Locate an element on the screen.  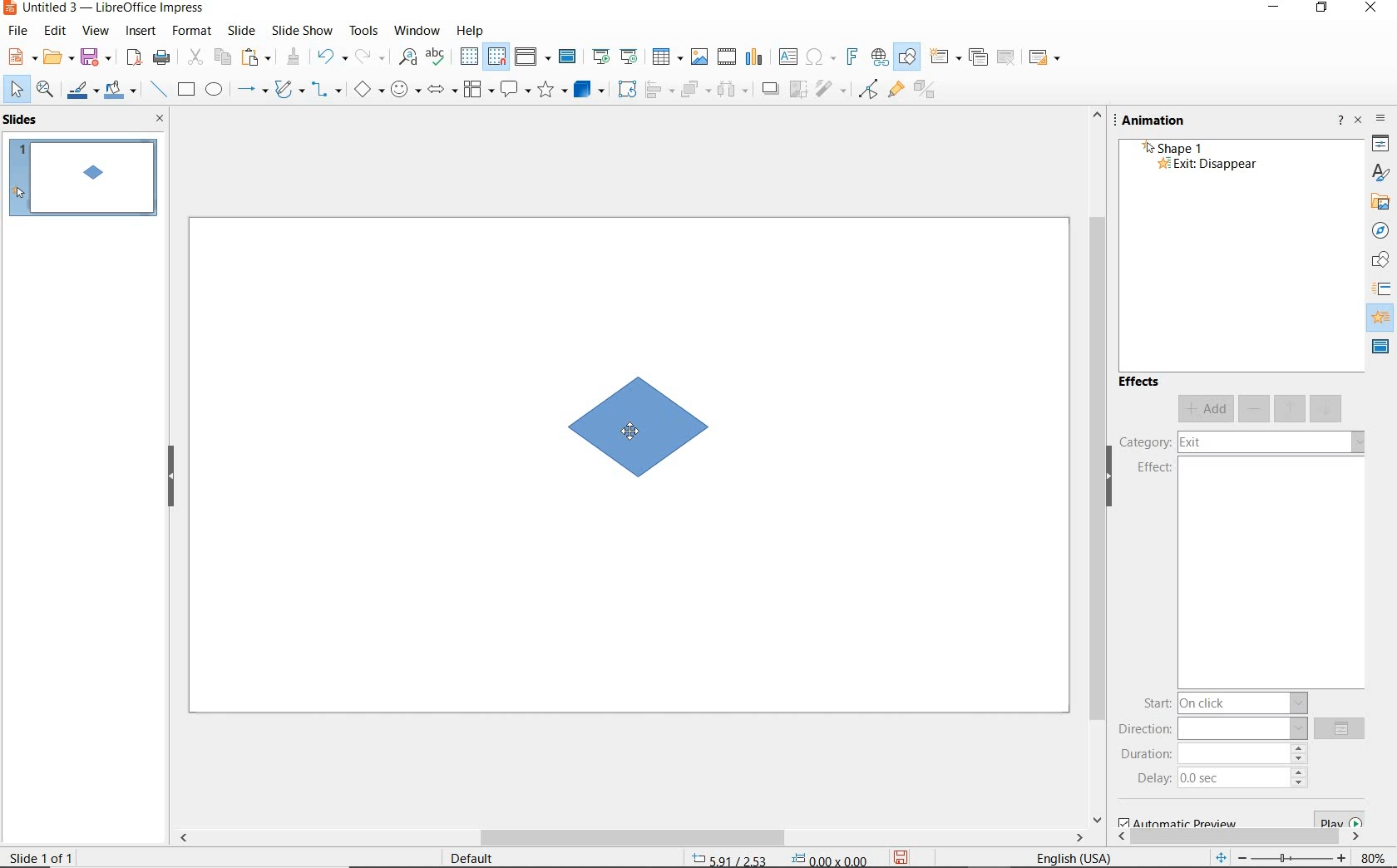
insert chart is located at coordinates (753, 58).